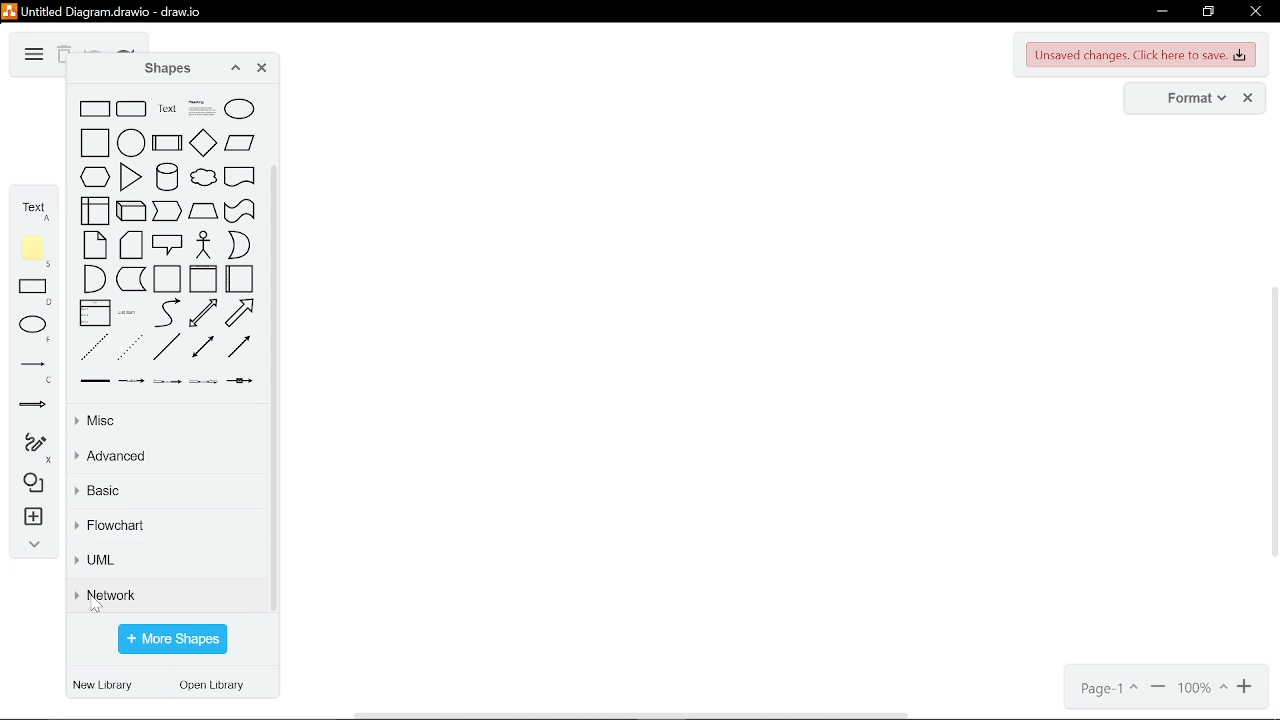  Describe the element at coordinates (203, 312) in the screenshot. I see `bidirectional arrow` at that location.